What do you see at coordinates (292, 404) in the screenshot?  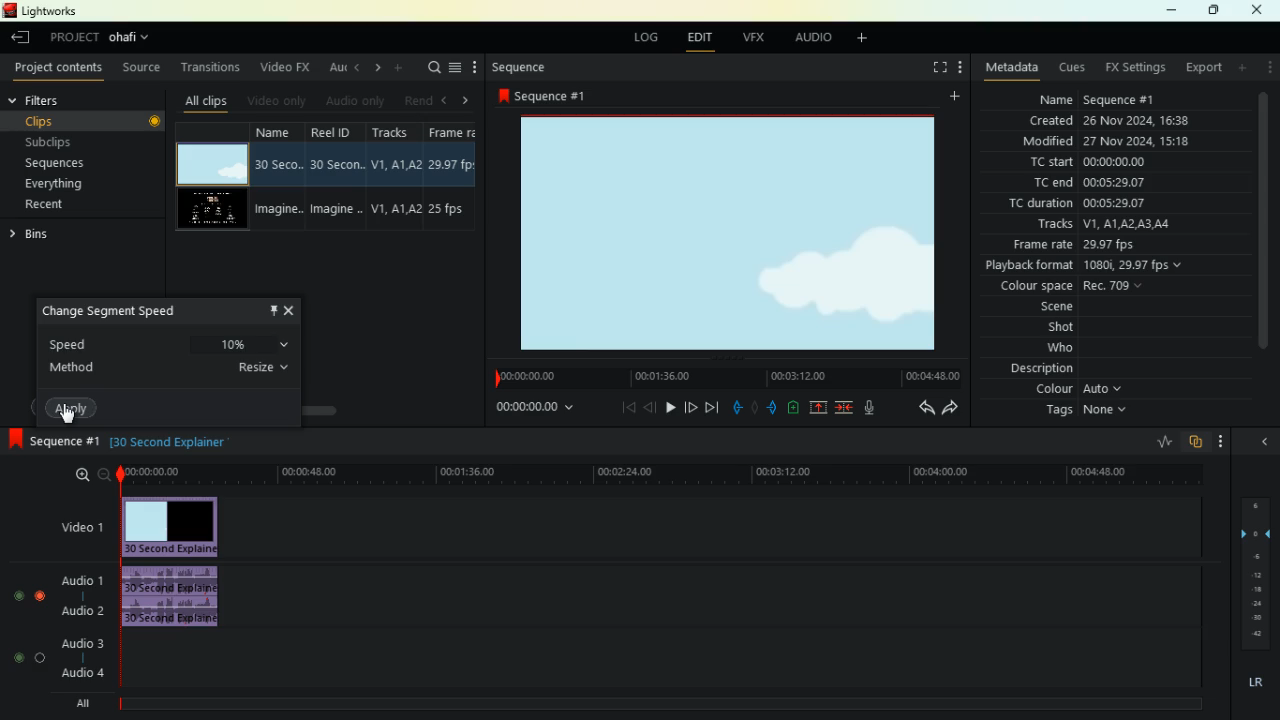 I see `scroll` at bounding box center [292, 404].